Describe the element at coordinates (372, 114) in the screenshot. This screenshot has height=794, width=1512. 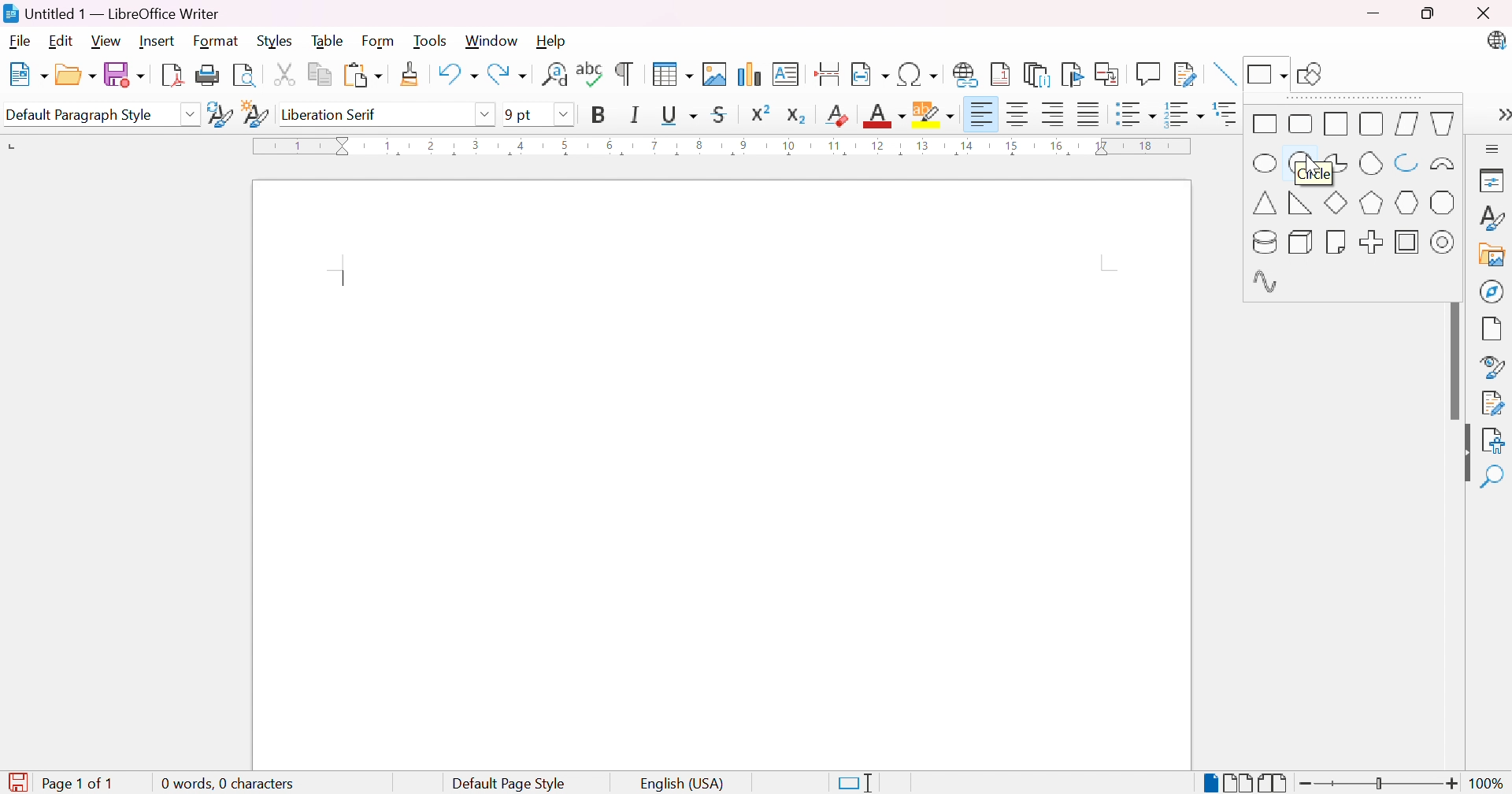
I see `Font name` at that location.